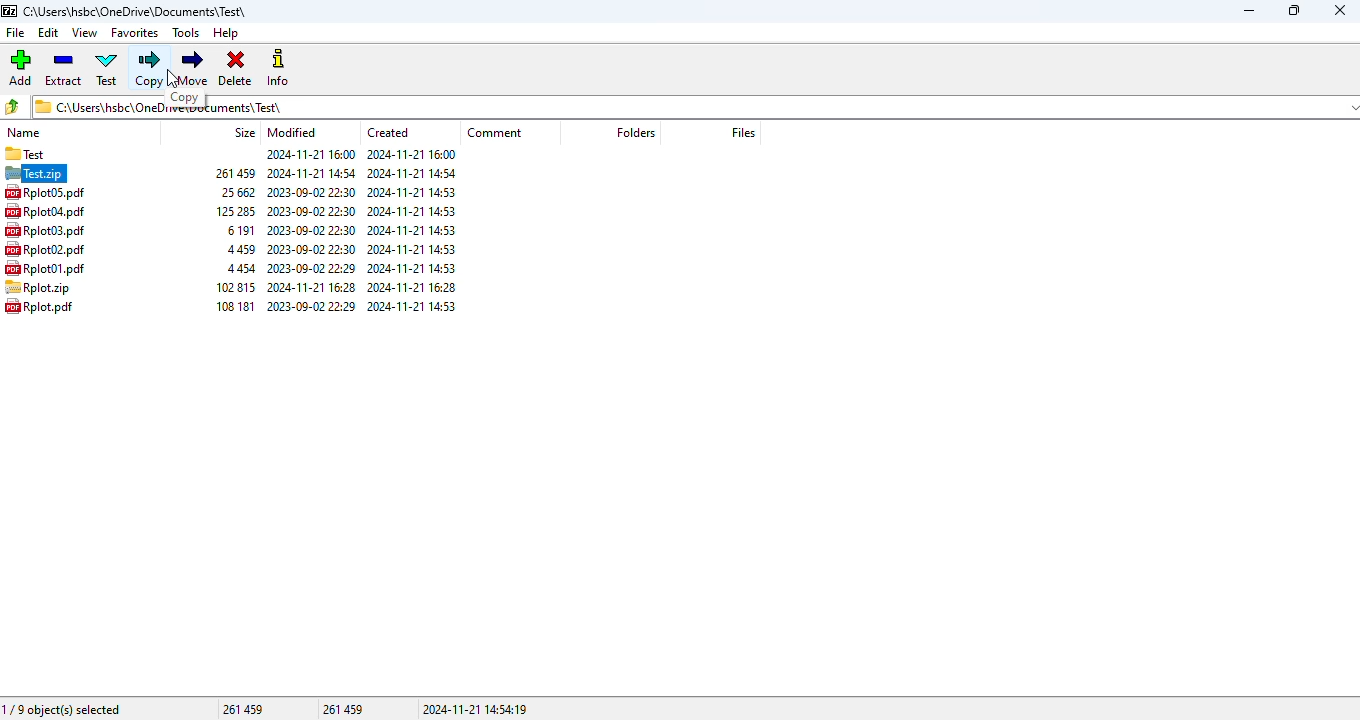  What do you see at coordinates (21, 68) in the screenshot?
I see `add` at bounding box center [21, 68].